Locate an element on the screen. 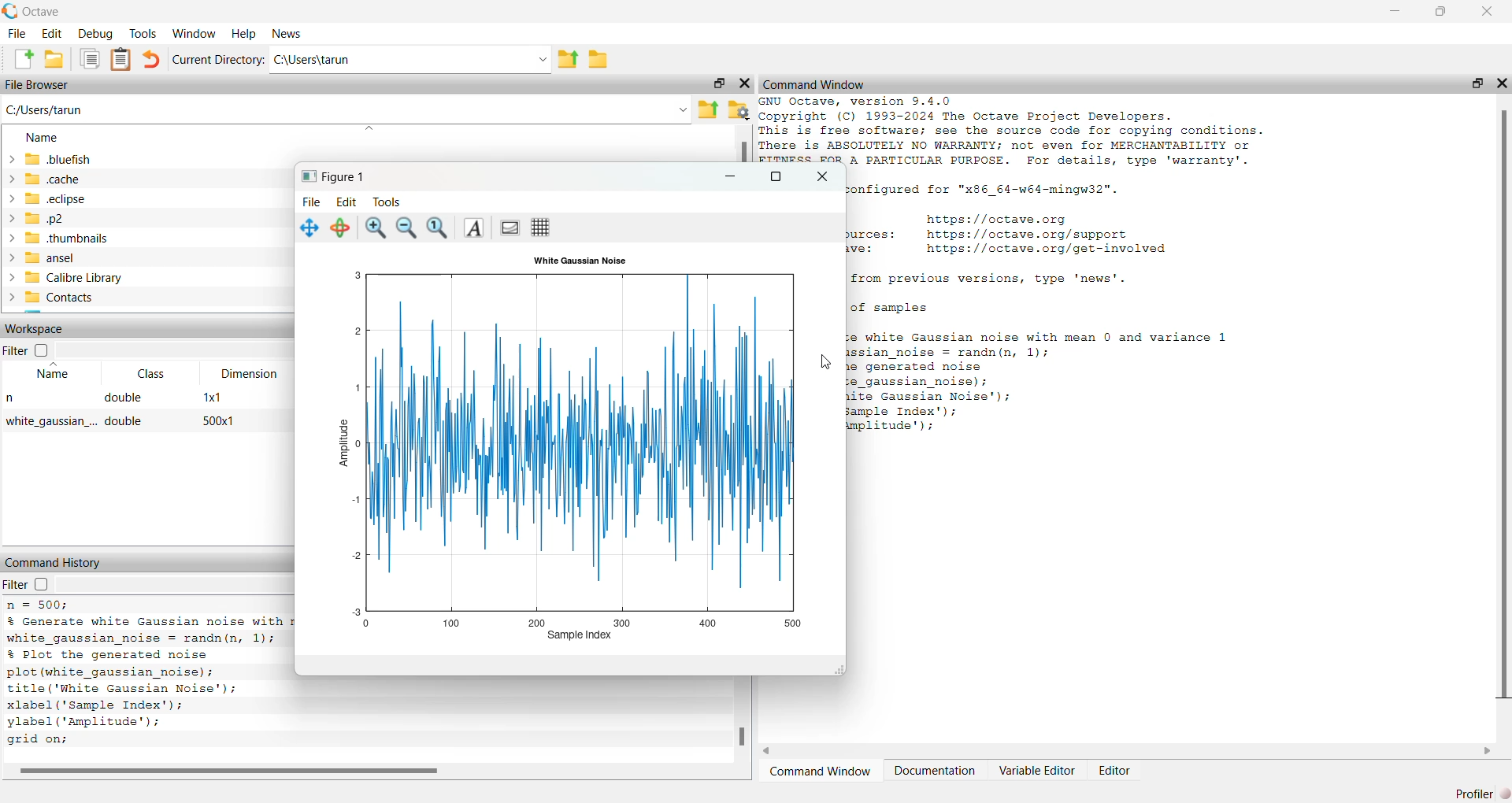 This screenshot has width=1512, height=803.  Editor is located at coordinates (1114, 773).